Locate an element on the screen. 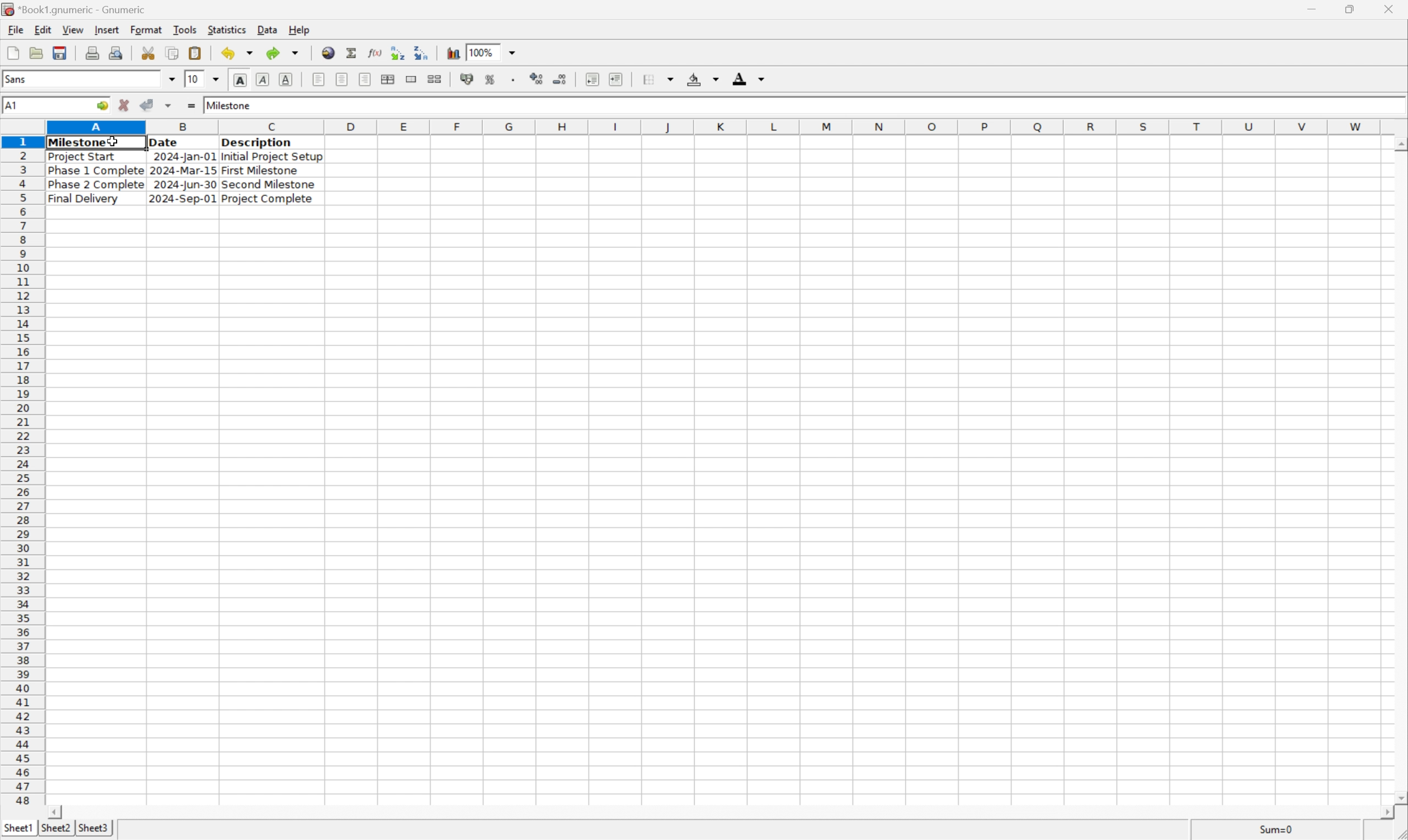  column names is located at coordinates (716, 126).